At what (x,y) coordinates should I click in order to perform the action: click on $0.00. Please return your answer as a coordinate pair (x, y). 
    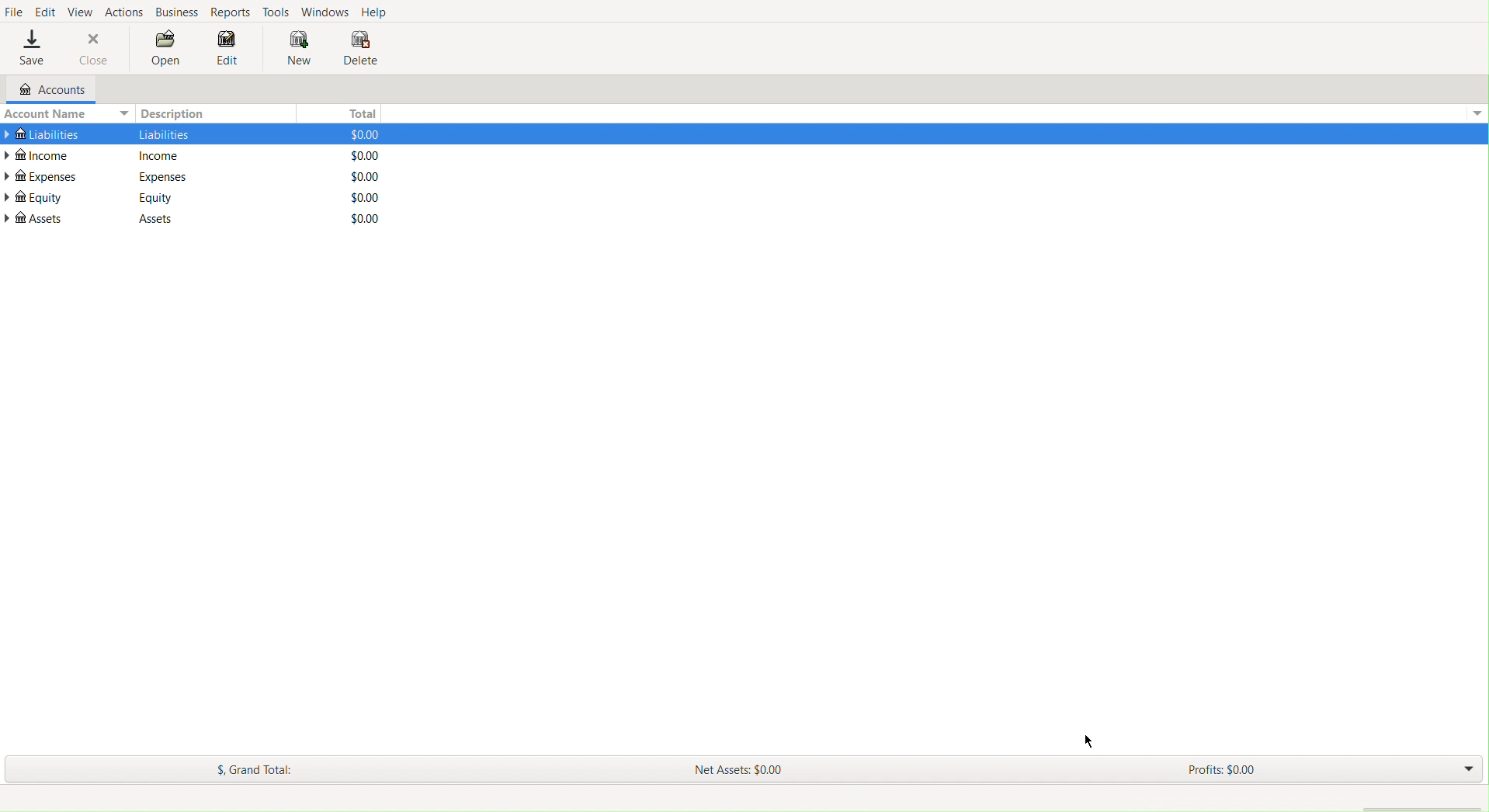
    Looking at the image, I should click on (359, 155).